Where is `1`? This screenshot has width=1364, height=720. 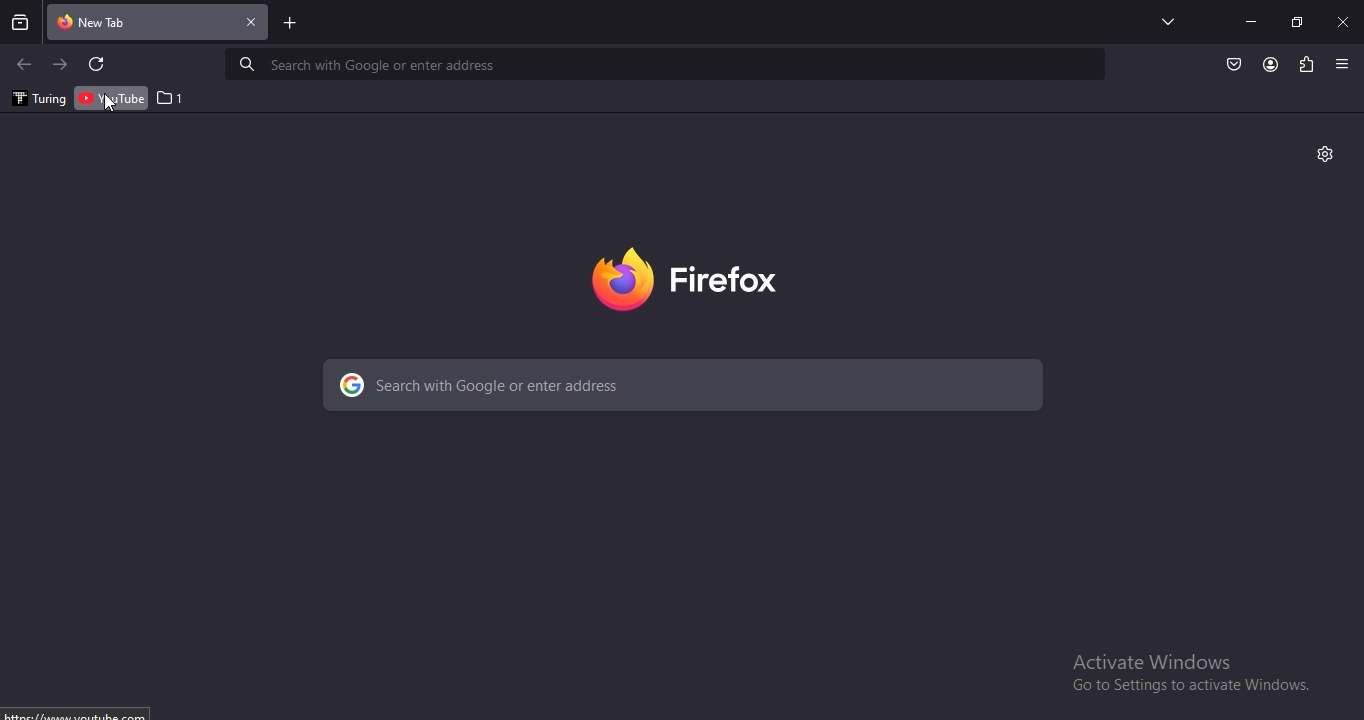
1 is located at coordinates (174, 100).